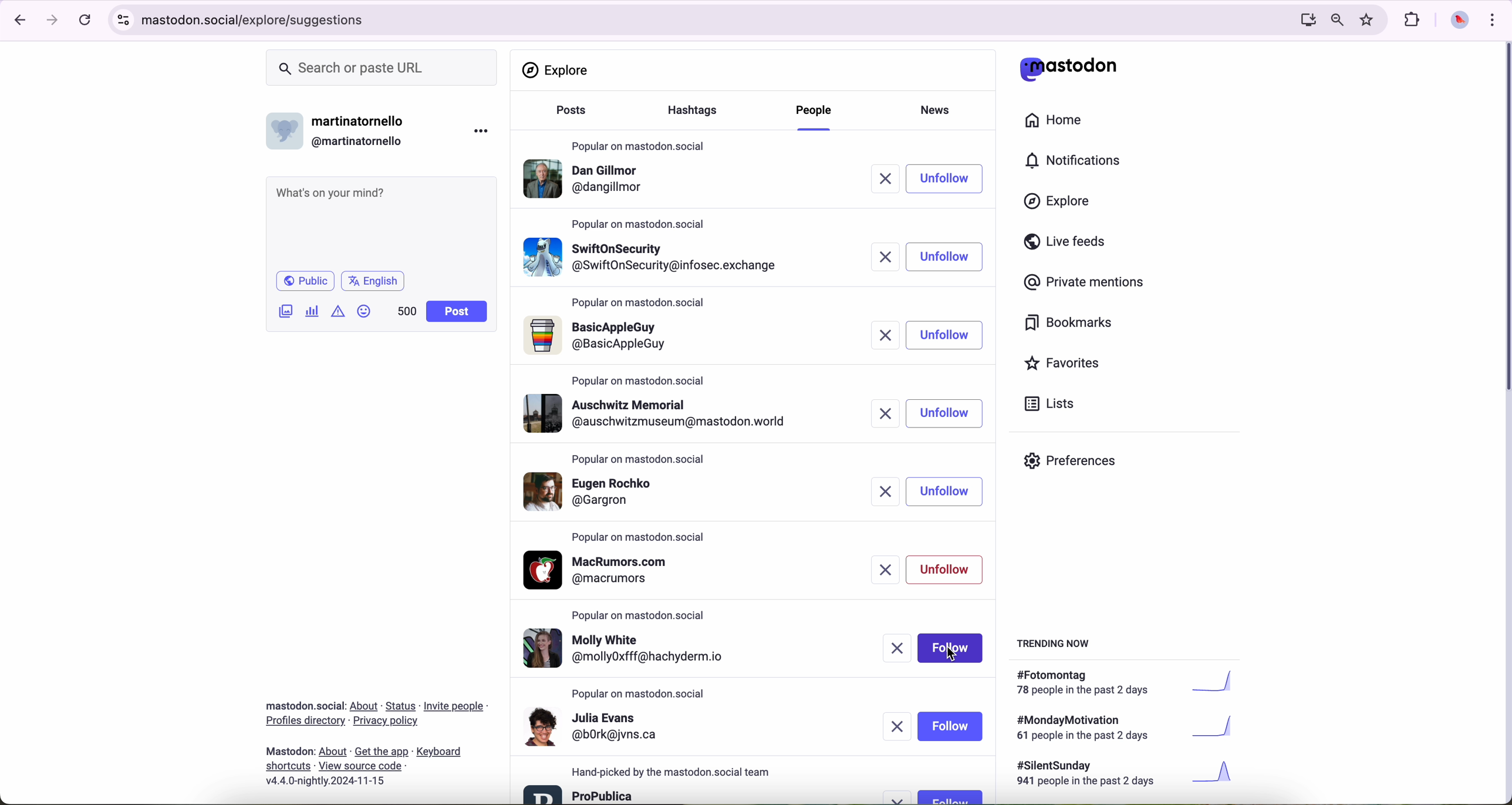  Describe the element at coordinates (887, 256) in the screenshot. I see `remove` at that location.